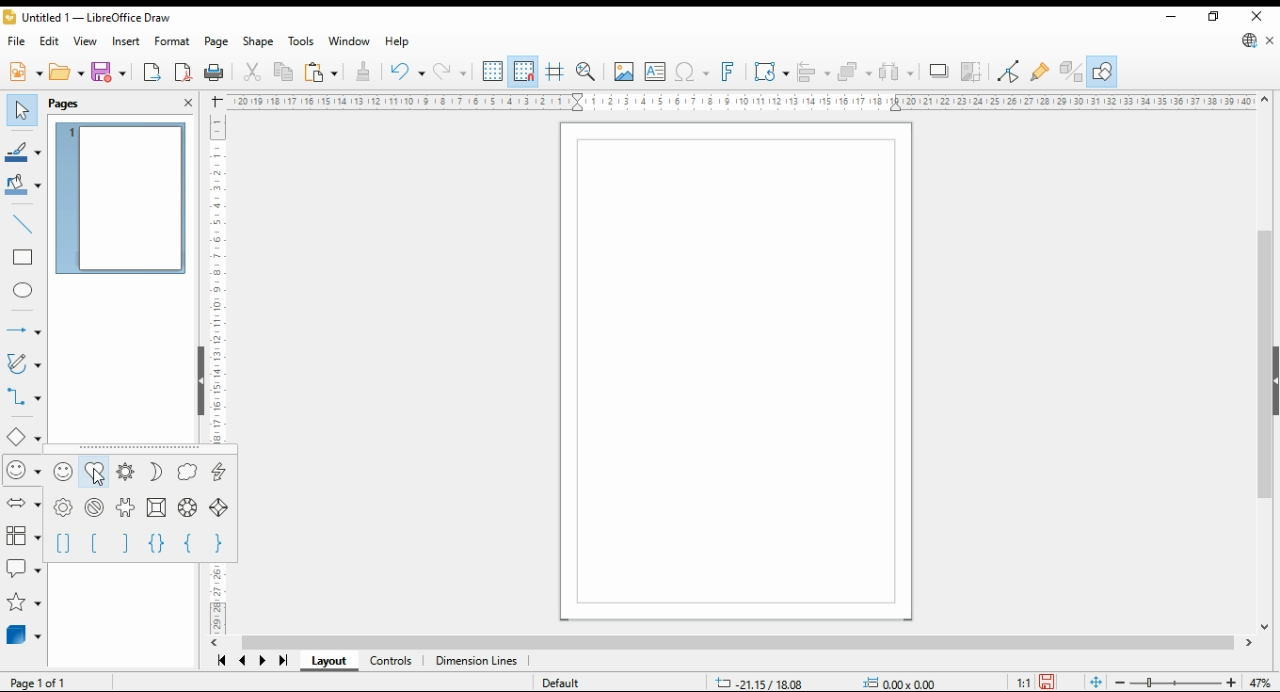 This screenshot has width=1280, height=692. What do you see at coordinates (24, 258) in the screenshot?
I see `rectangle` at bounding box center [24, 258].